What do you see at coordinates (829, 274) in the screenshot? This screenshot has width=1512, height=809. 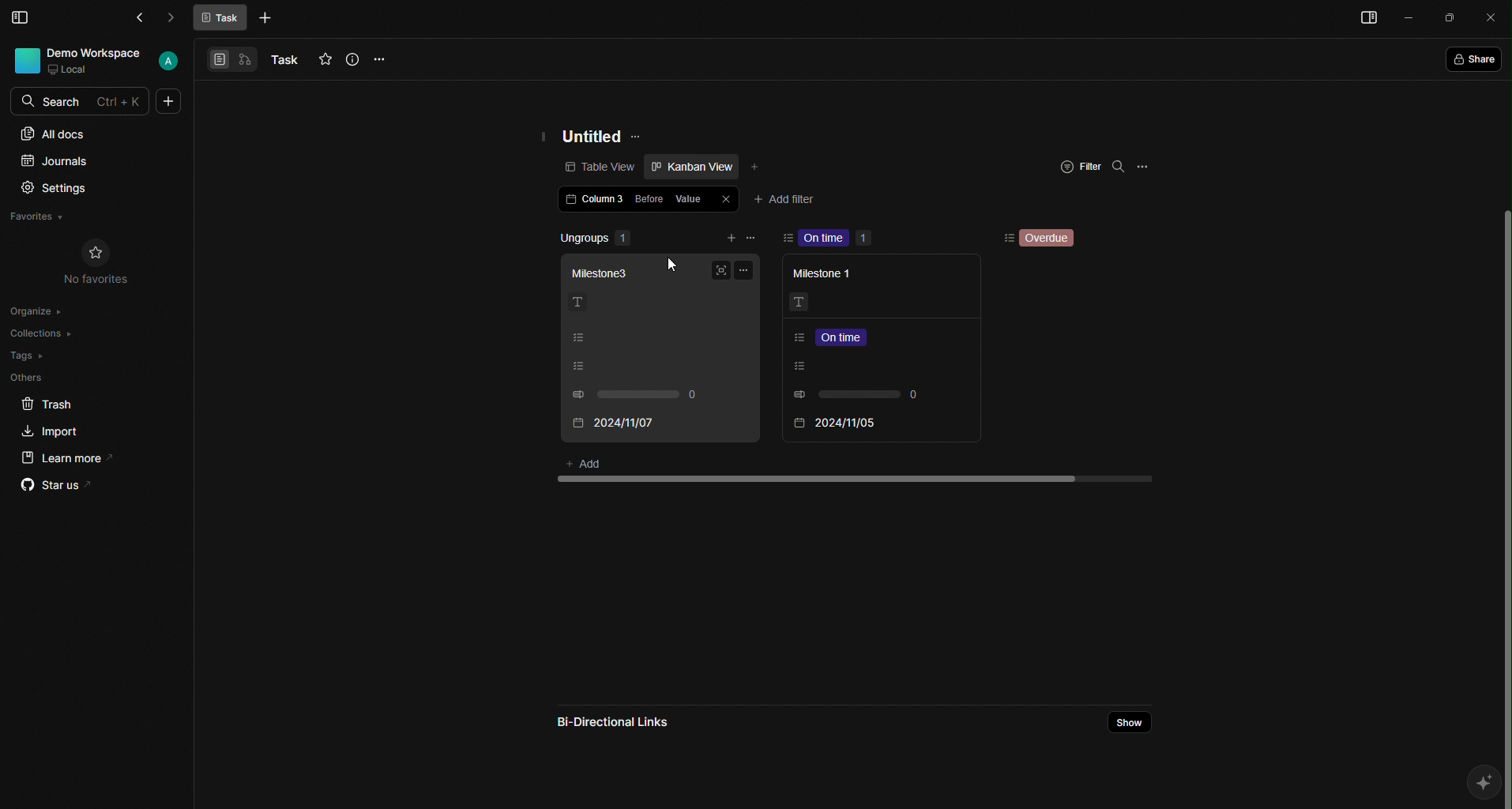 I see `Milestone 1` at bounding box center [829, 274].